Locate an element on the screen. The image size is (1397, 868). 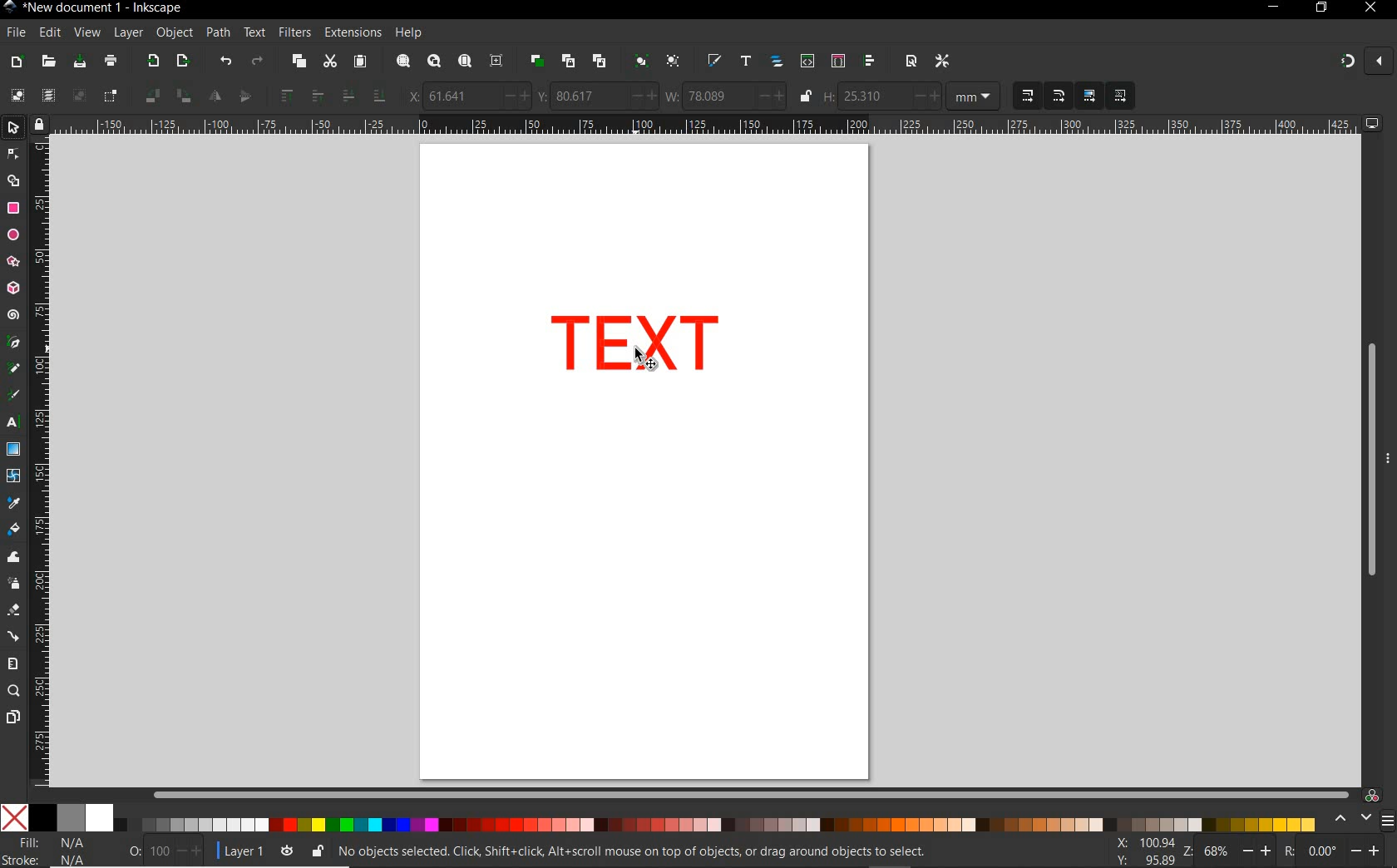
group is located at coordinates (639, 62).